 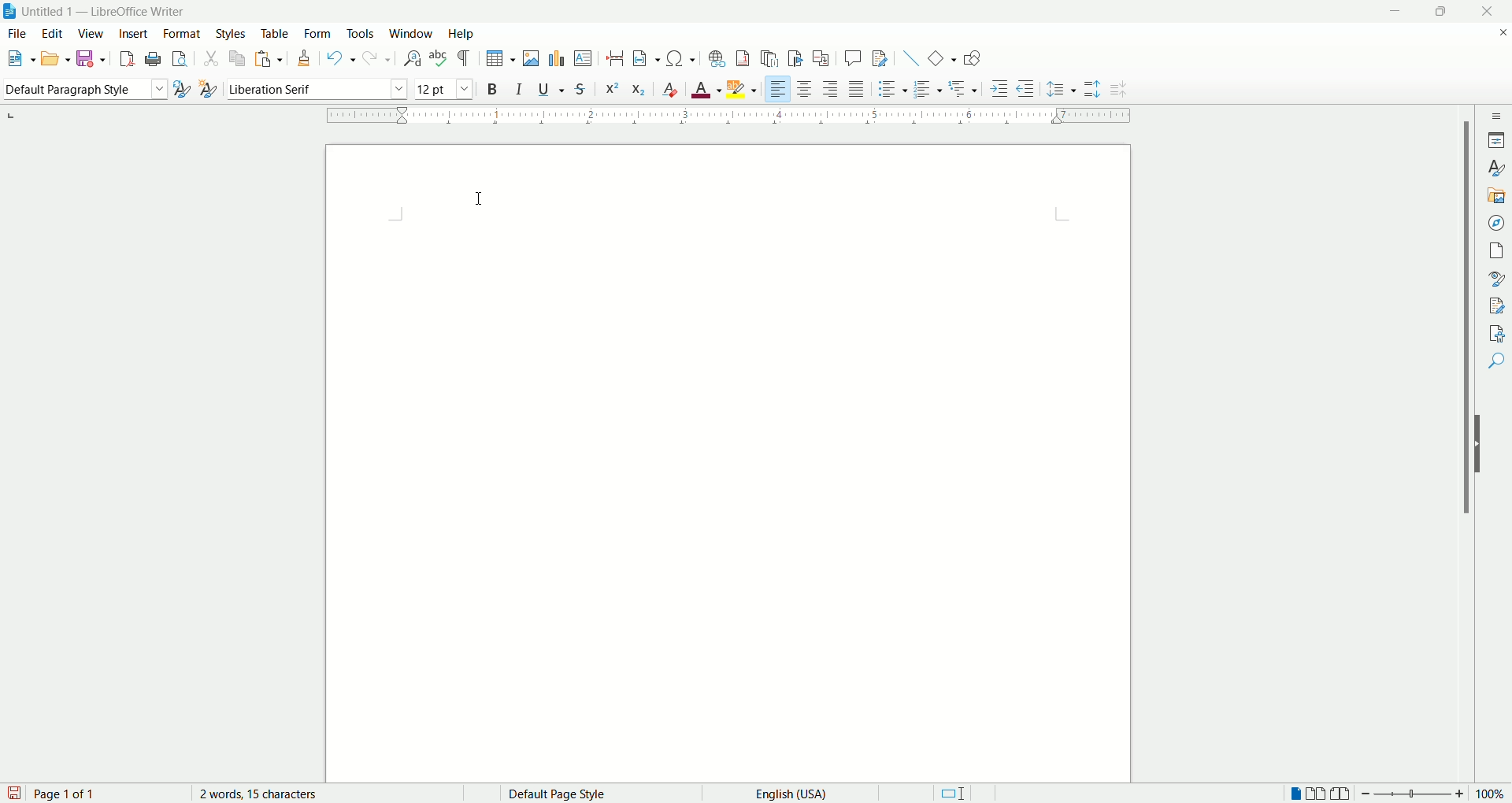 I want to click on insert bookmark, so click(x=796, y=57).